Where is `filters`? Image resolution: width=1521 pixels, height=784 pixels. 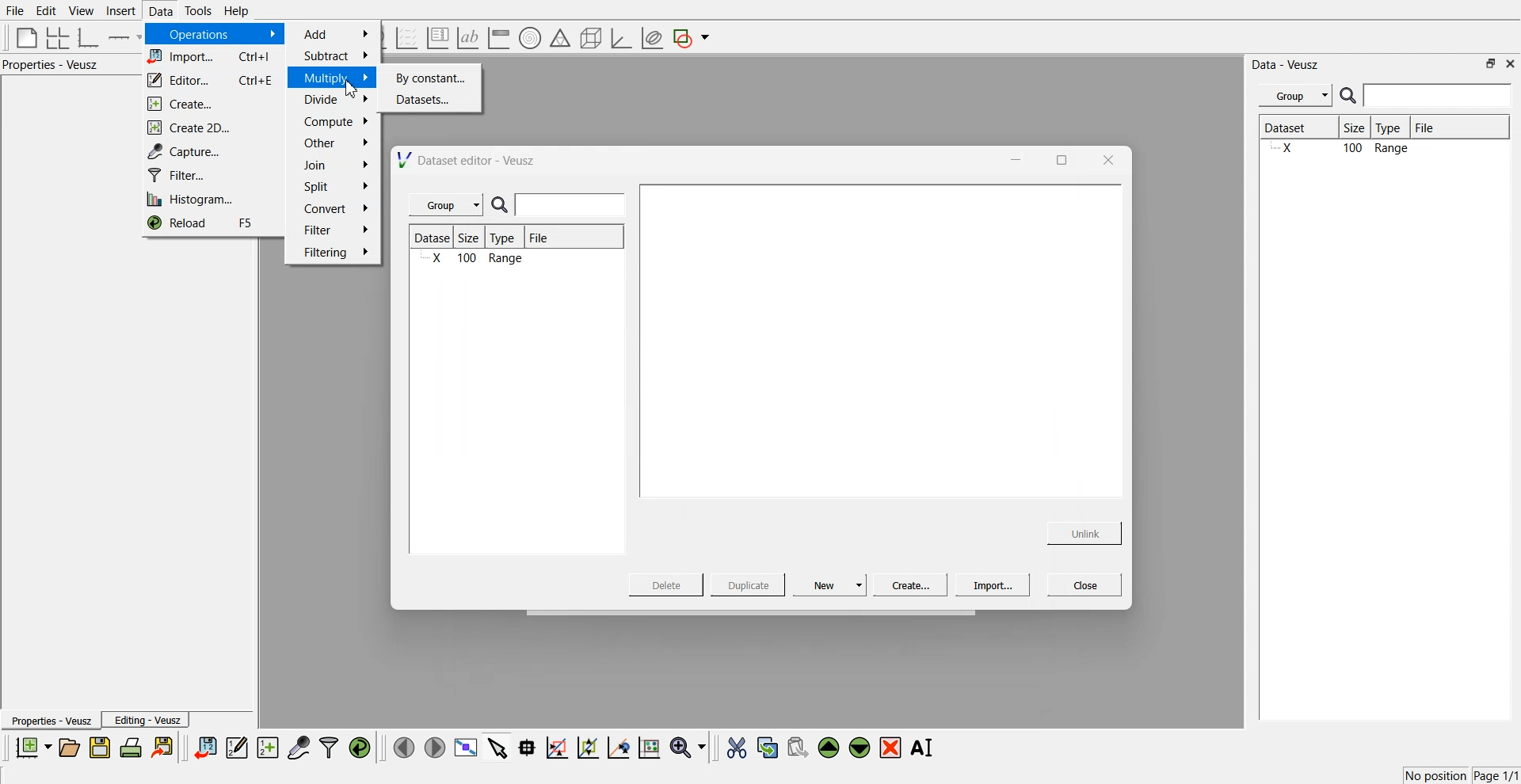
filters is located at coordinates (327, 748).